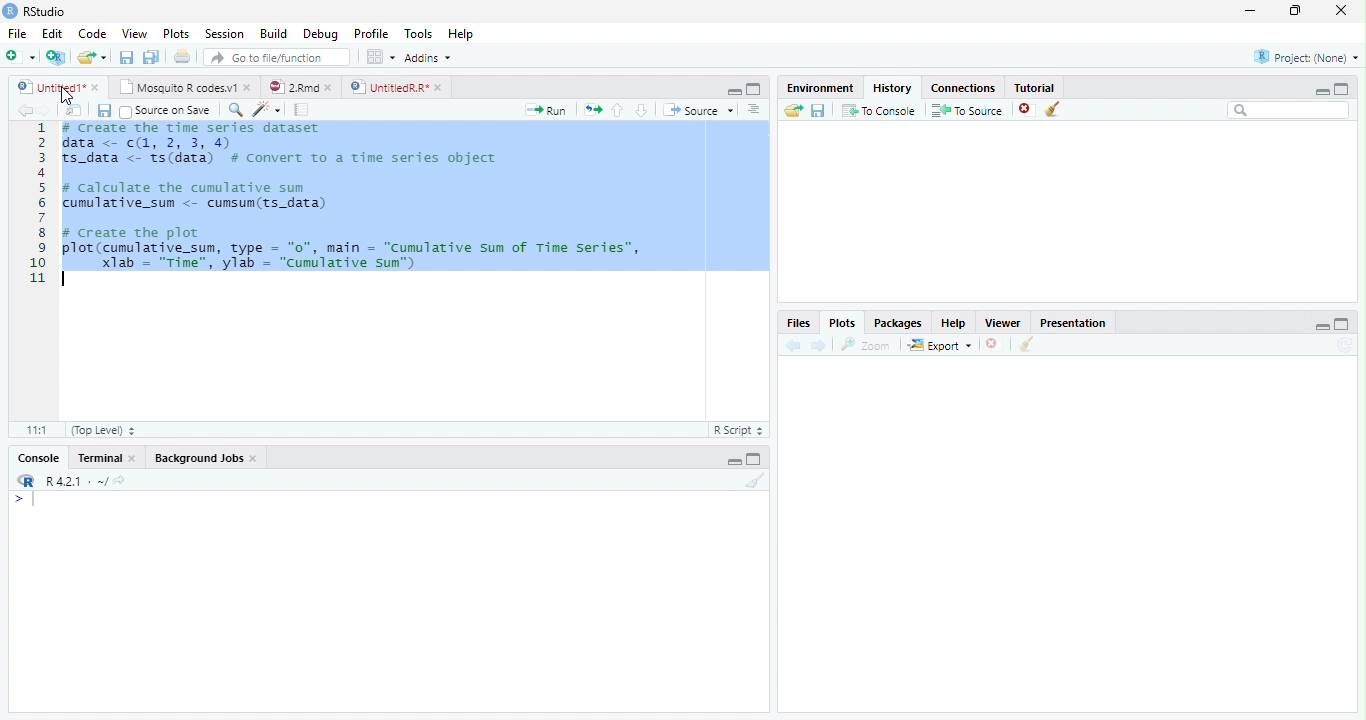  What do you see at coordinates (741, 430) in the screenshot?
I see `R script` at bounding box center [741, 430].